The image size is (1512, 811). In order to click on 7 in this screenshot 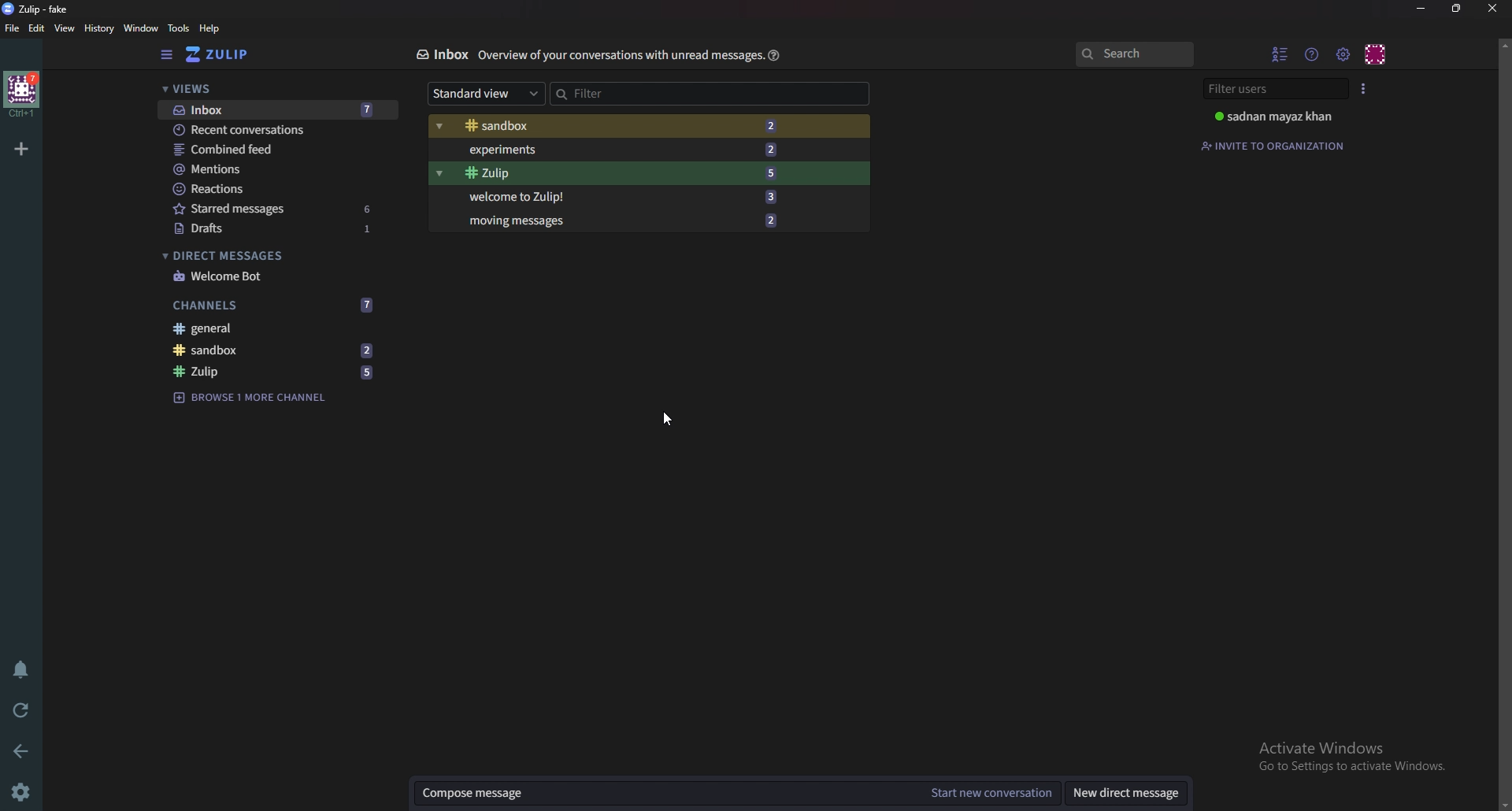, I will do `click(366, 305)`.